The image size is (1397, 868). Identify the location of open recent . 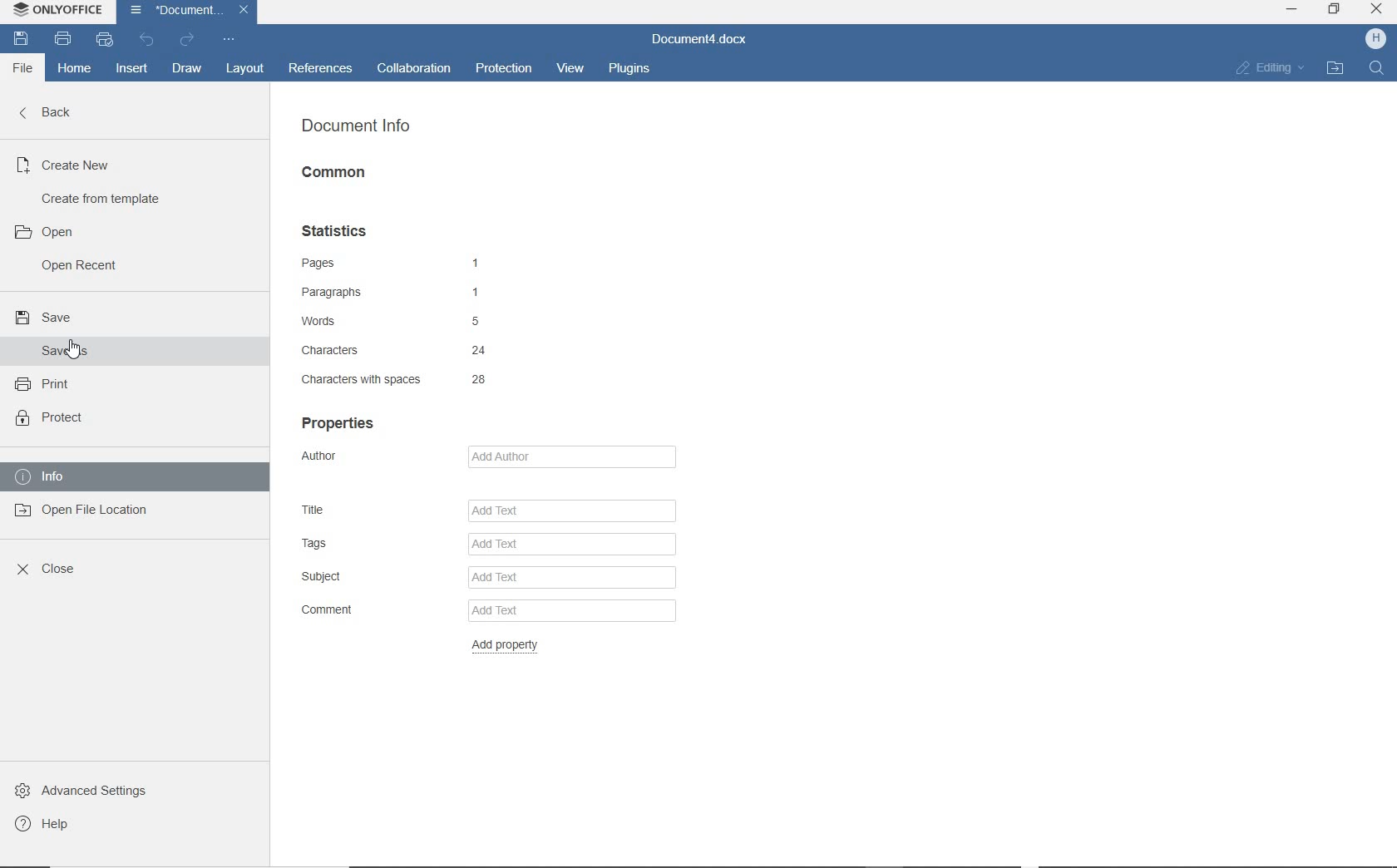
(82, 268).